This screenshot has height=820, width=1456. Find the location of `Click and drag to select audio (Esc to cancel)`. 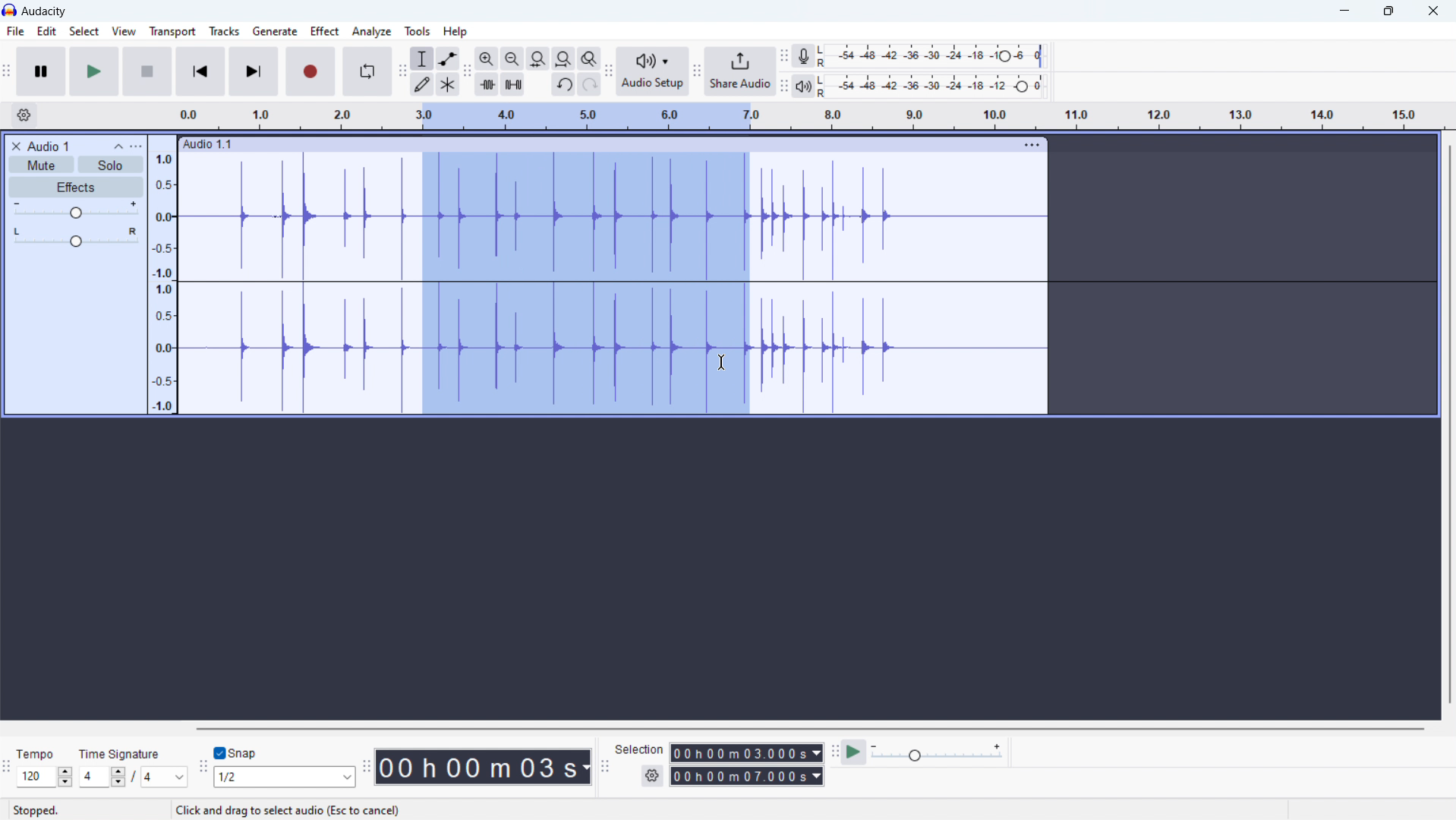

Click and drag to select audio (Esc to cancel) is located at coordinates (297, 811).